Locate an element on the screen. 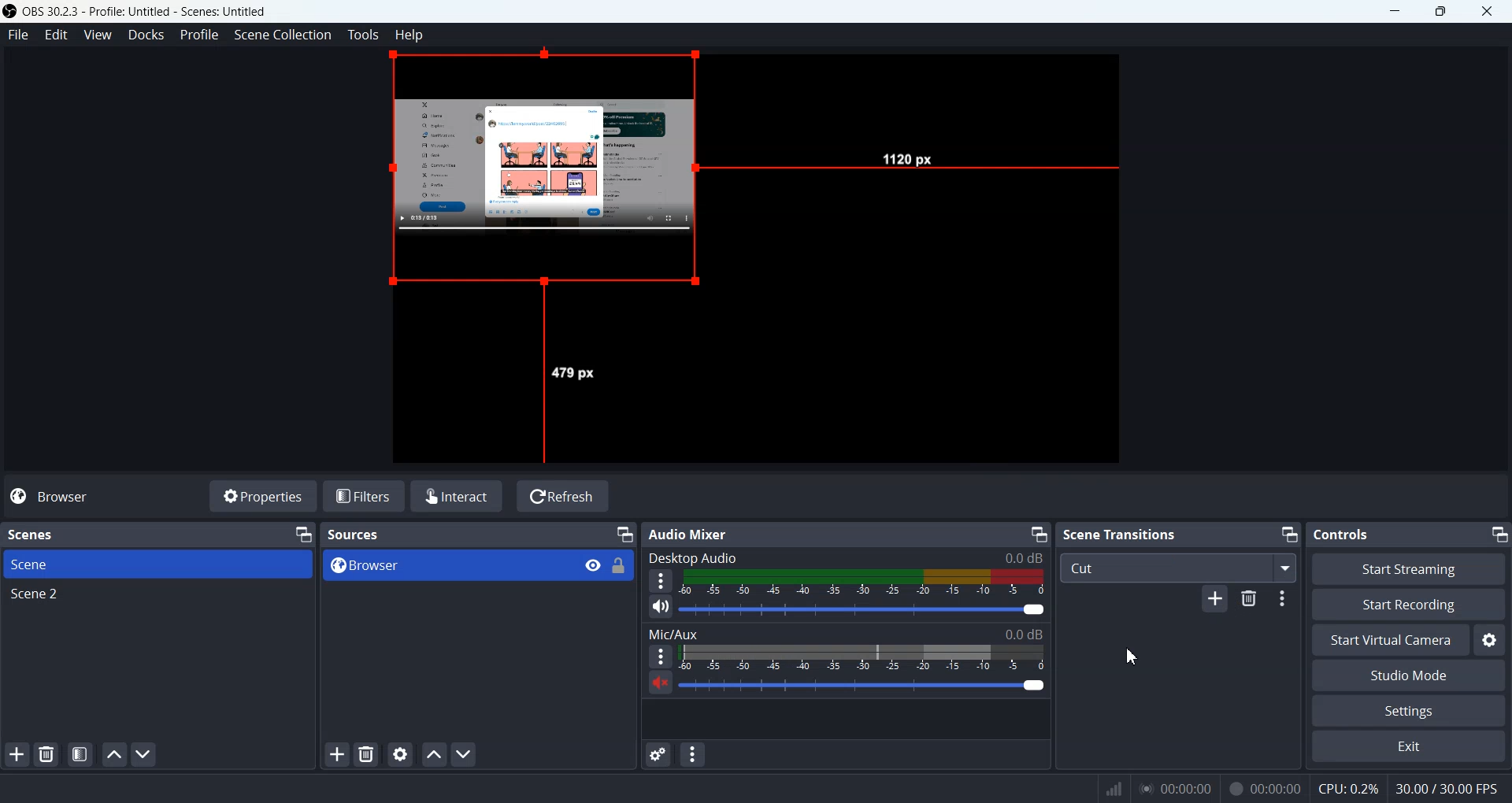  Move source down is located at coordinates (464, 754).